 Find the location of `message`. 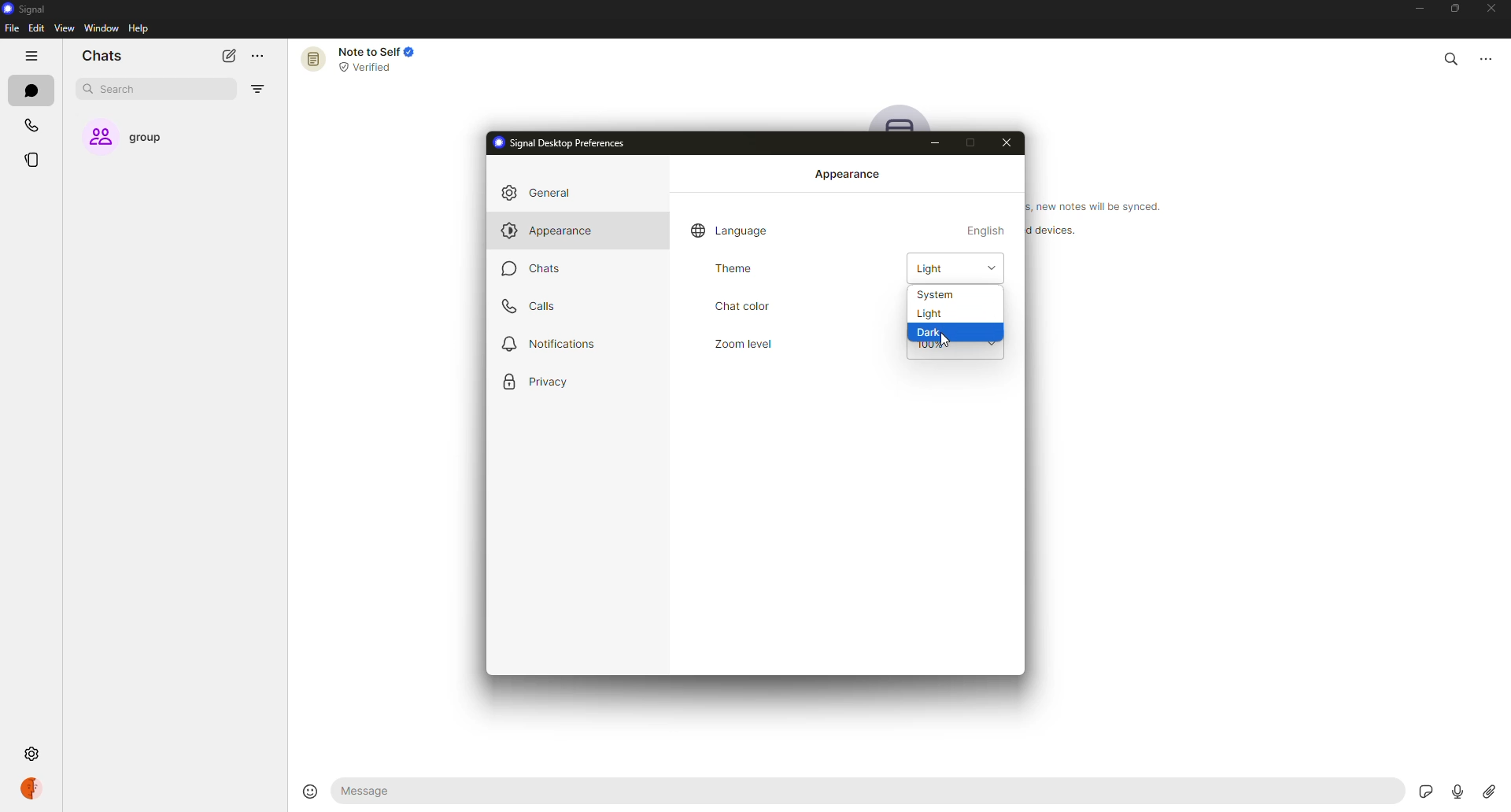

message is located at coordinates (439, 792).